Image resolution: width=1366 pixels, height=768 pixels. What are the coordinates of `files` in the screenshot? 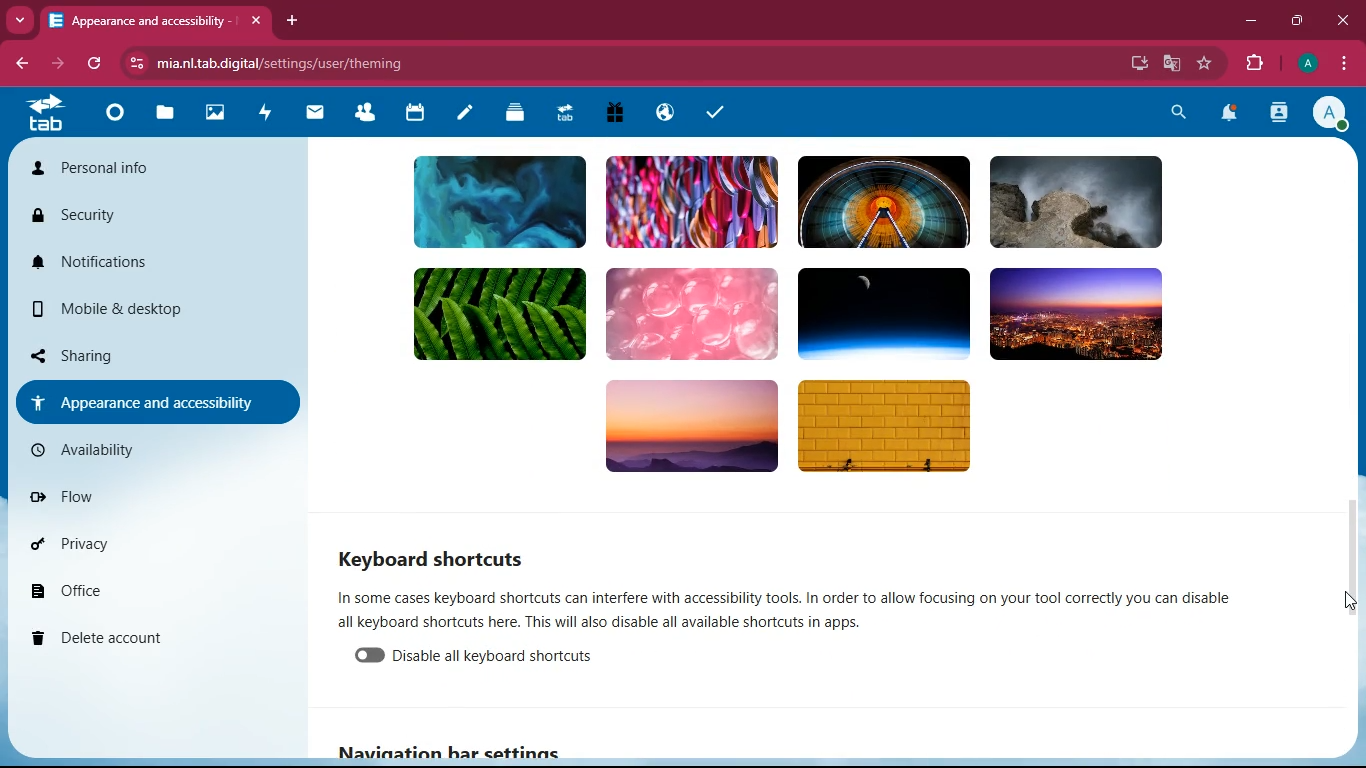 It's located at (166, 113).